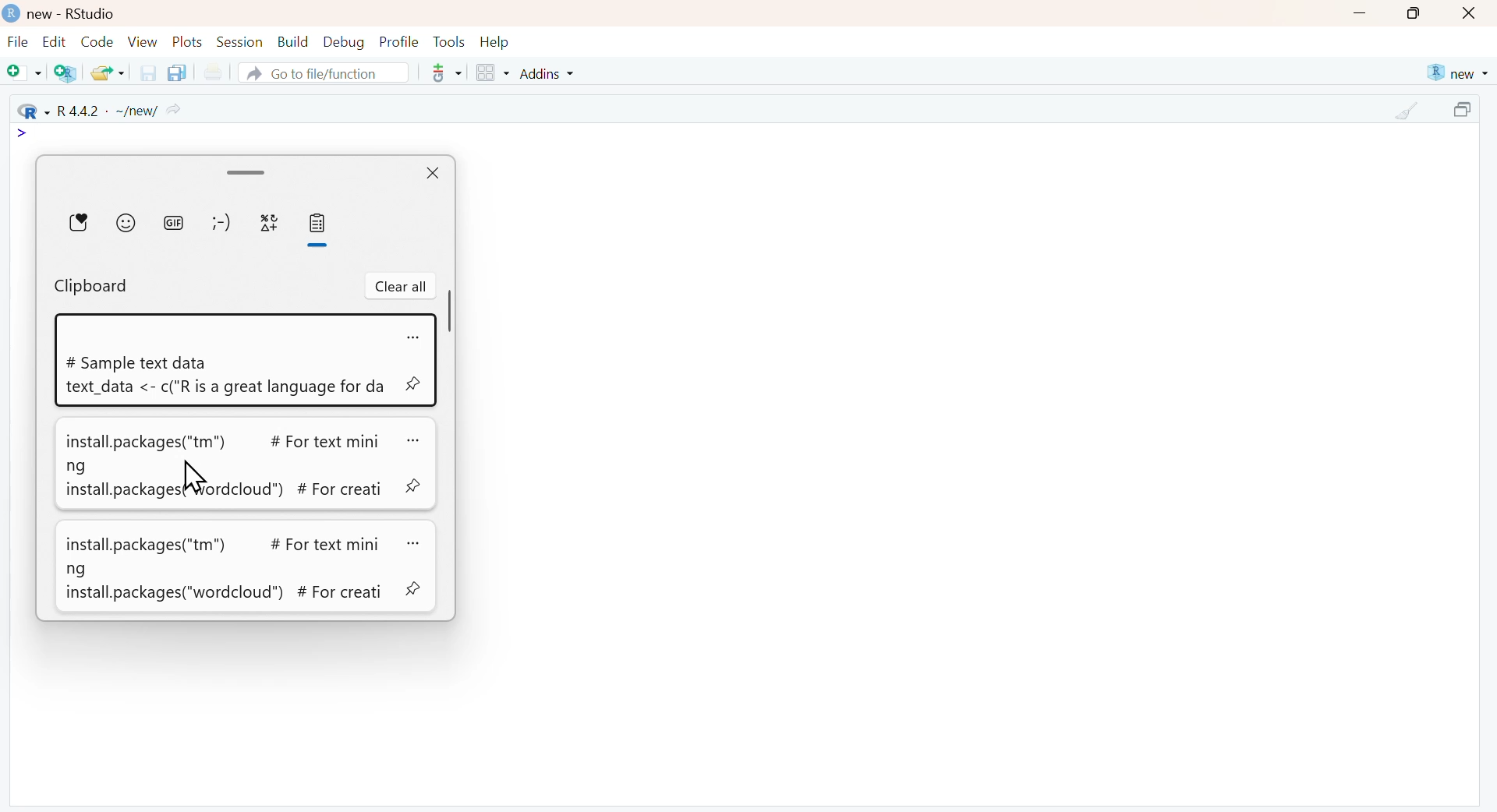 The image size is (1497, 812). I want to click on Go to file/function, so click(322, 72).